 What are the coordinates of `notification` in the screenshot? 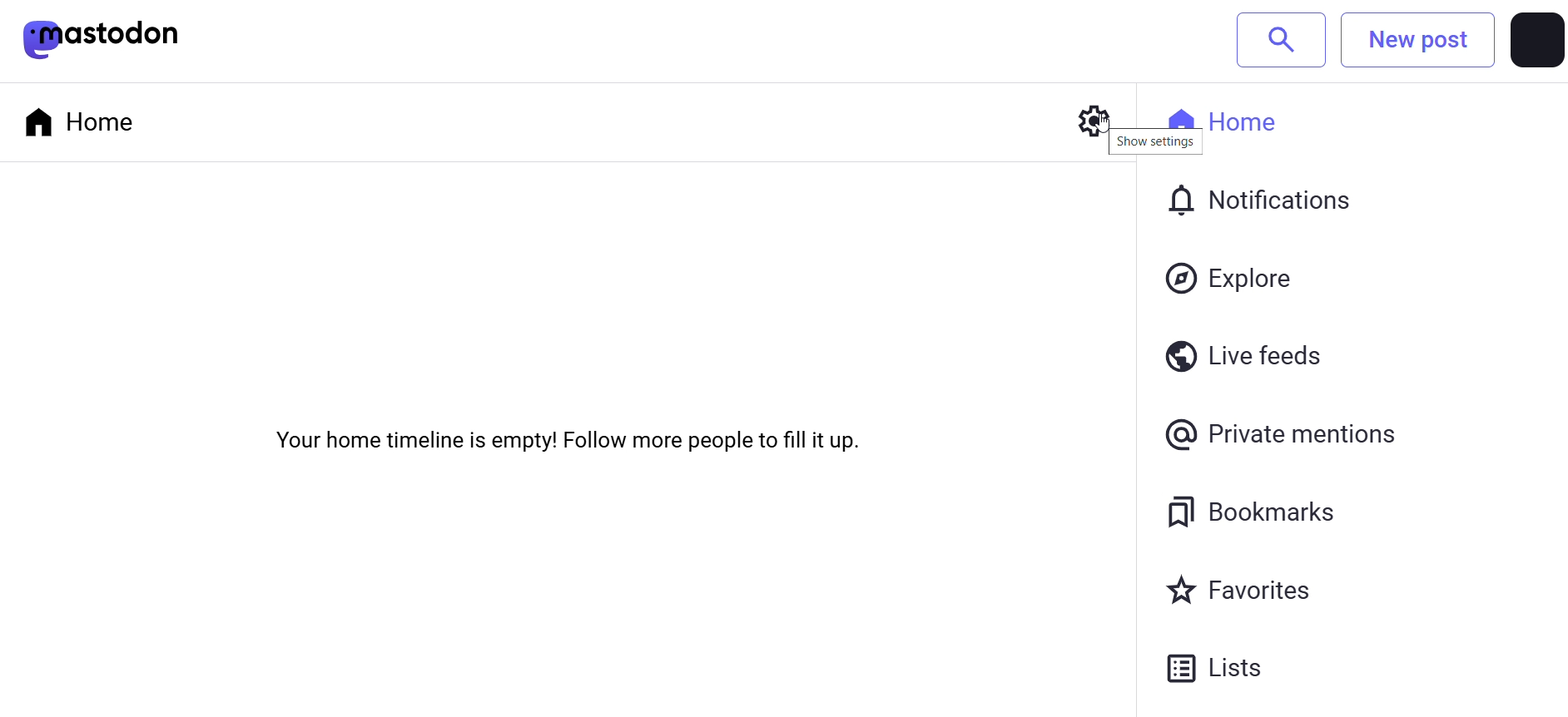 It's located at (1264, 204).